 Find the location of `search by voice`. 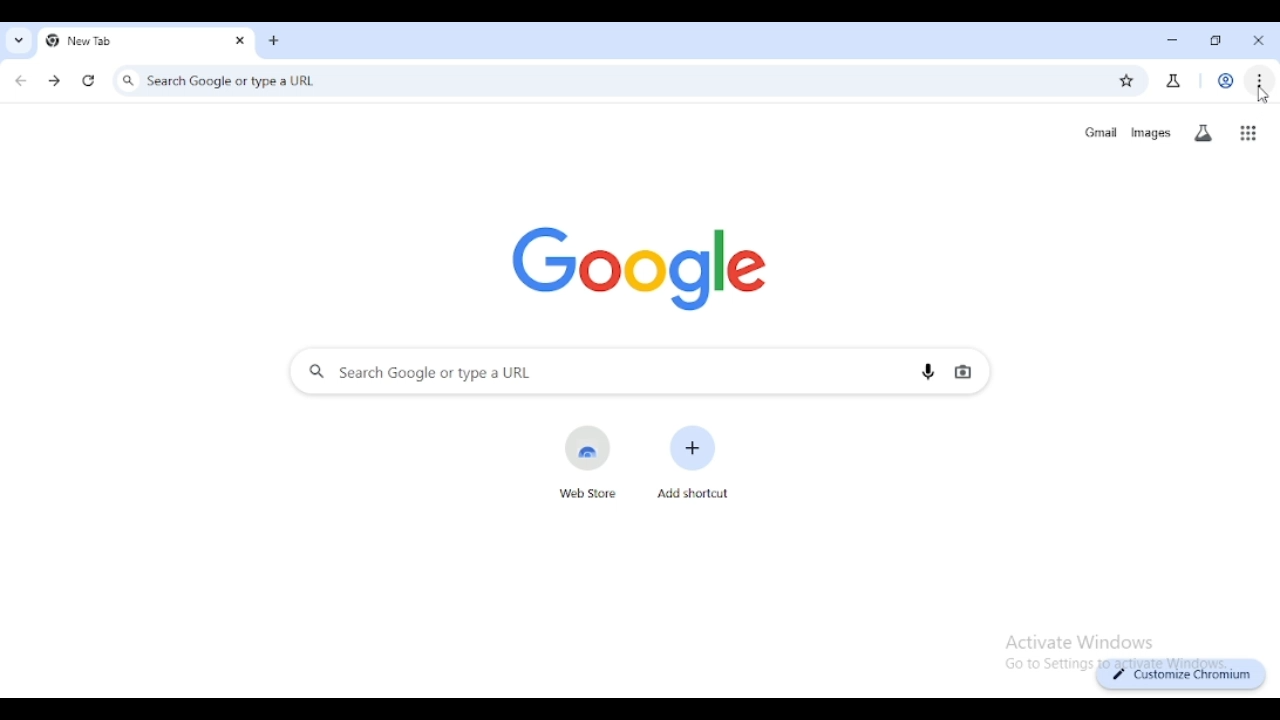

search by voice is located at coordinates (928, 371).